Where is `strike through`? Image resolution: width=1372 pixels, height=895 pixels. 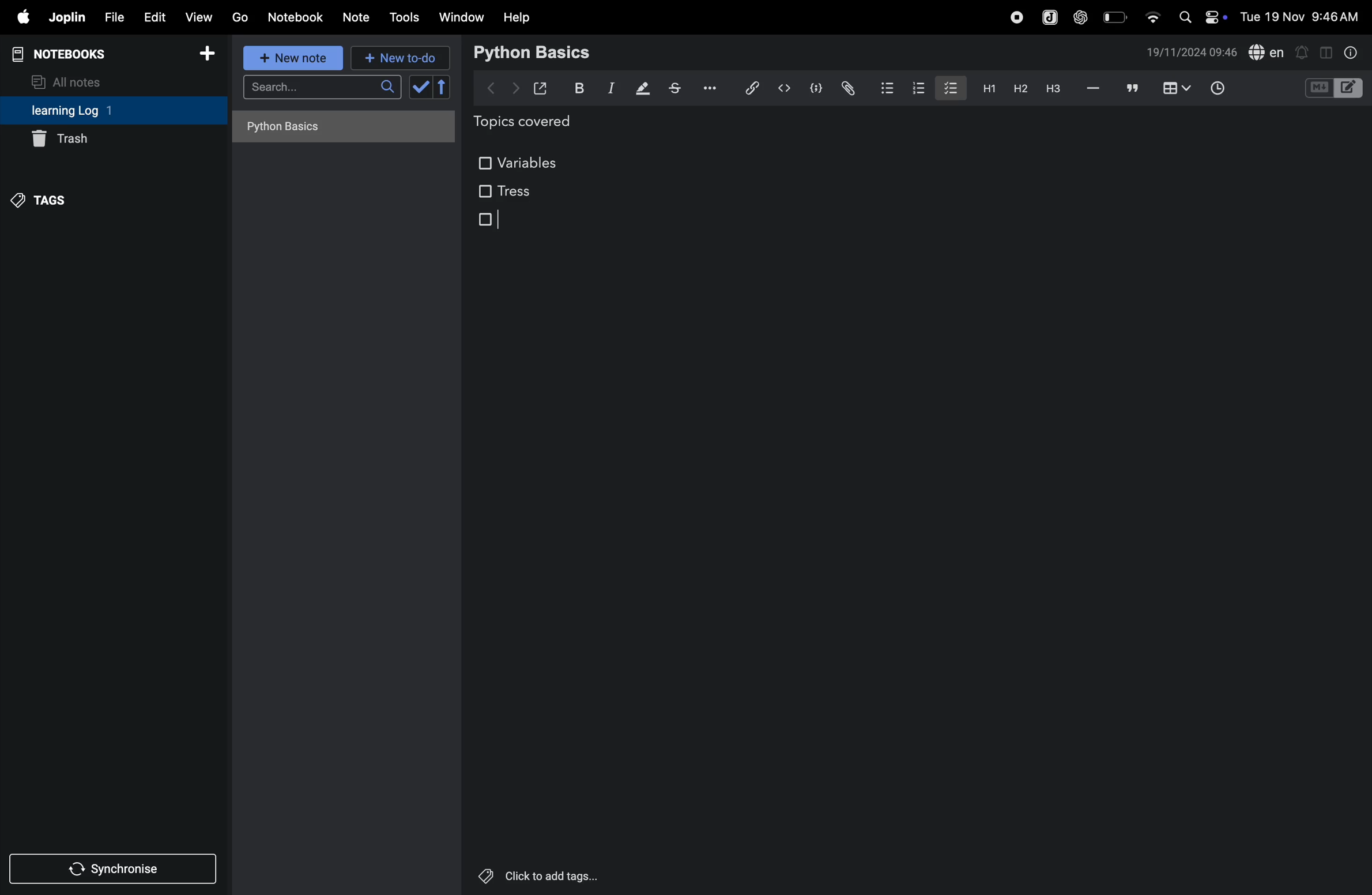
strike through is located at coordinates (675, 88).